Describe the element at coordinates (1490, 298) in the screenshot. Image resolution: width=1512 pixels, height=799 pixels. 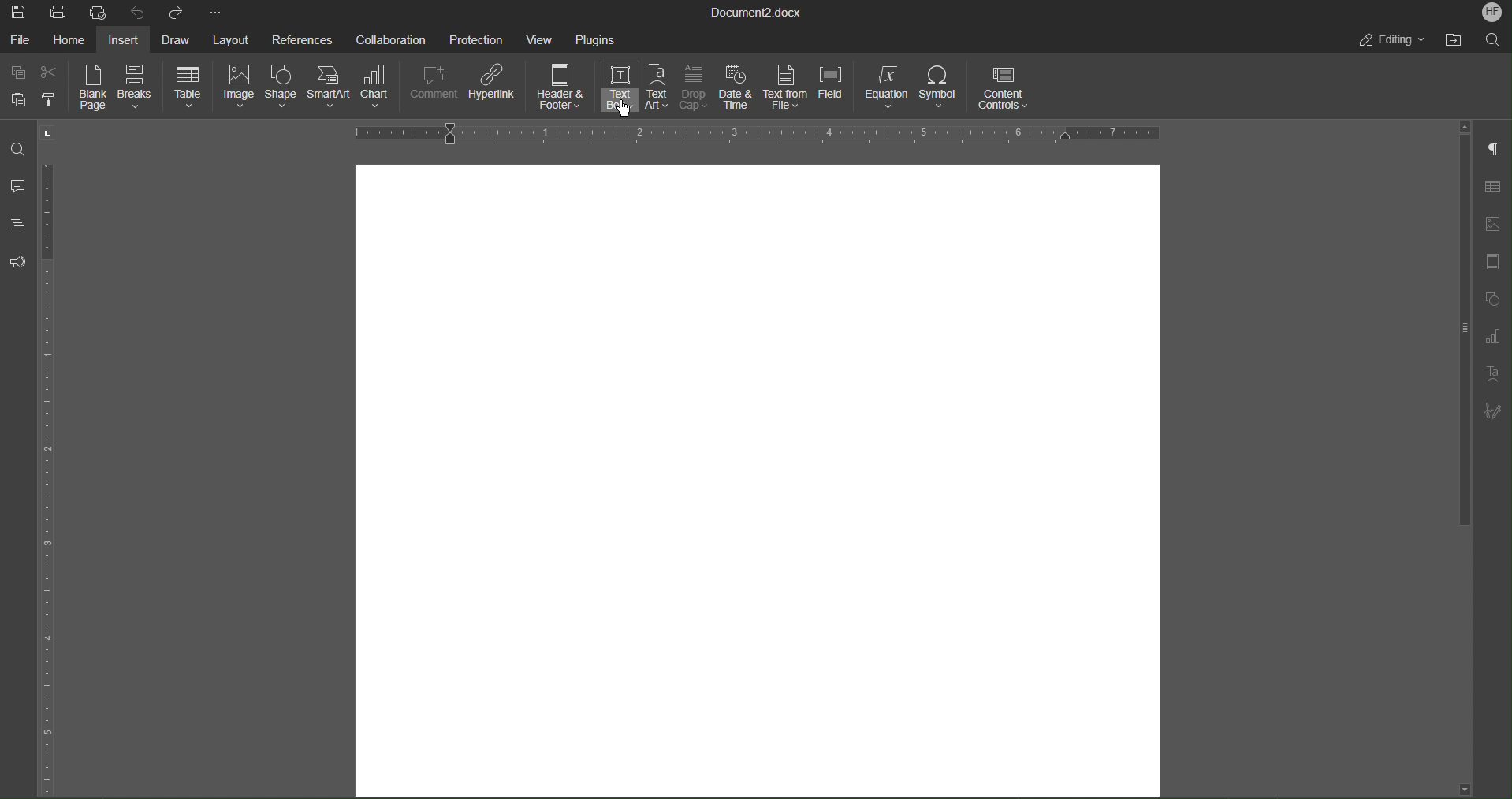
I see `Shape Settings` at that location.